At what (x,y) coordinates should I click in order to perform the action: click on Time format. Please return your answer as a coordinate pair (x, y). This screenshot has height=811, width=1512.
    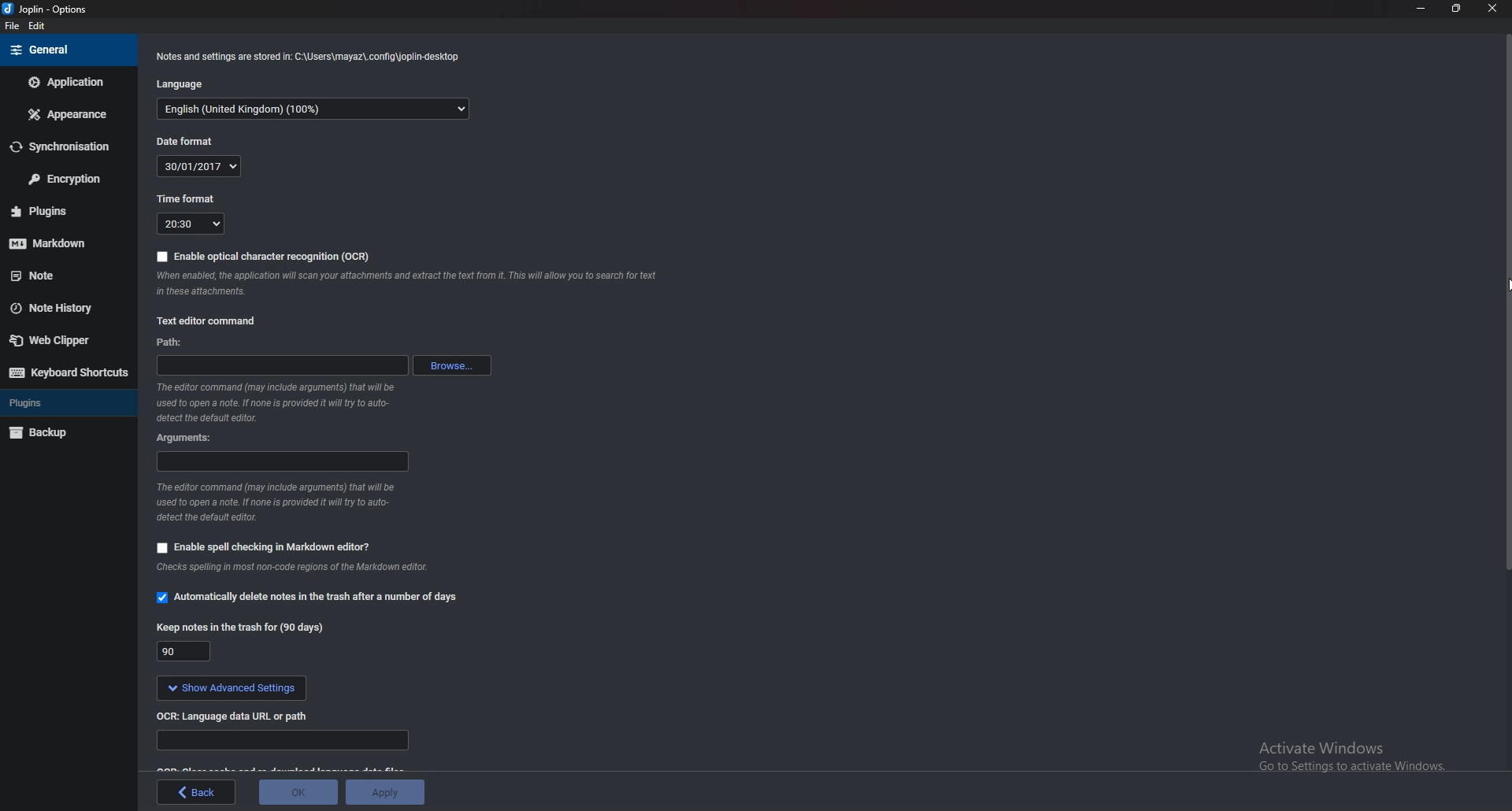
    Looking at the image, I should click on (186, 199).